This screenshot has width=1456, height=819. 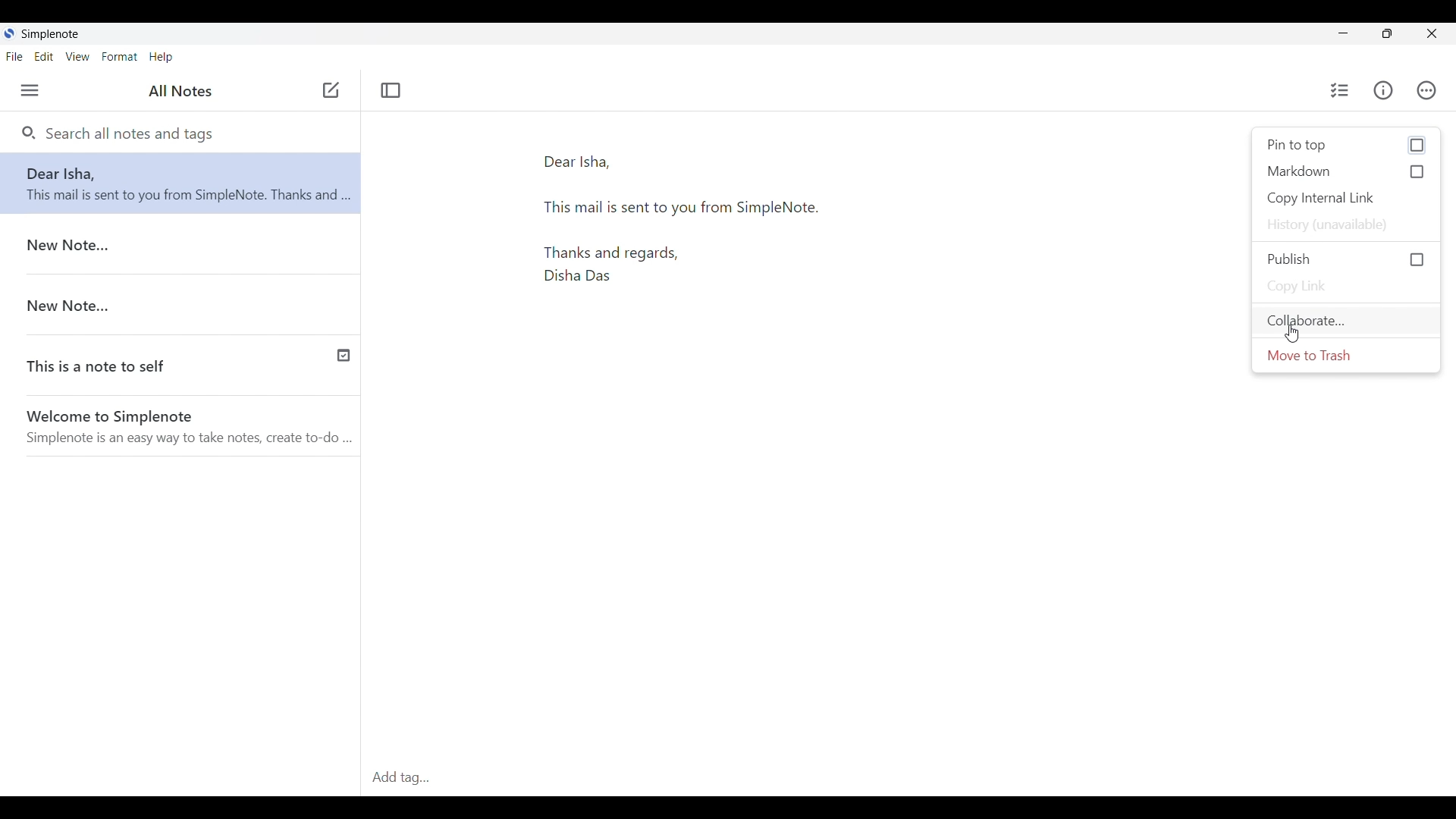 I want to click on All Notes(Title of left side panel), so click(x=178, y=92).